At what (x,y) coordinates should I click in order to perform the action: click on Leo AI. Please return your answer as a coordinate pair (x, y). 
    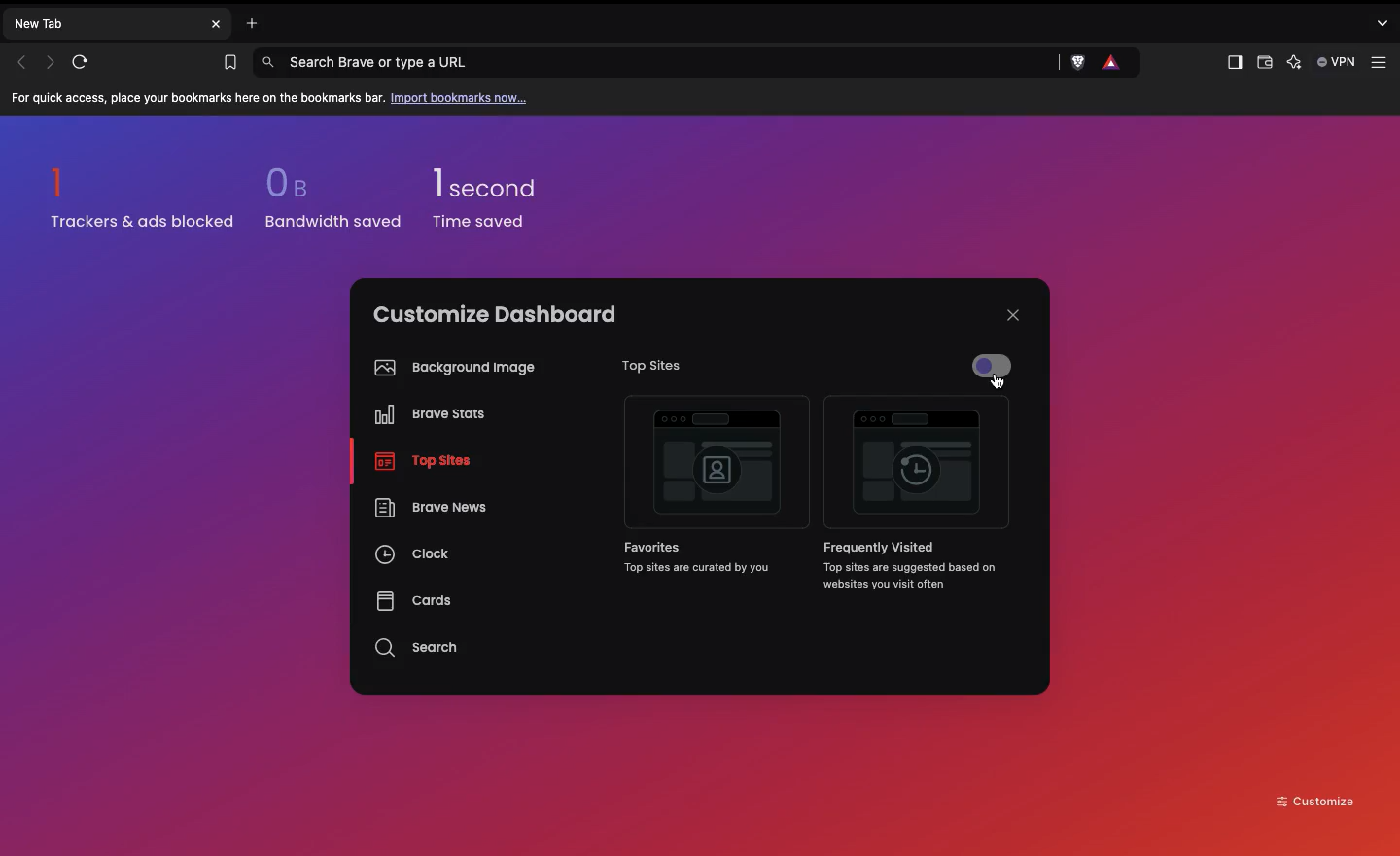
    Looking at the image, I should click on (1297, 65).